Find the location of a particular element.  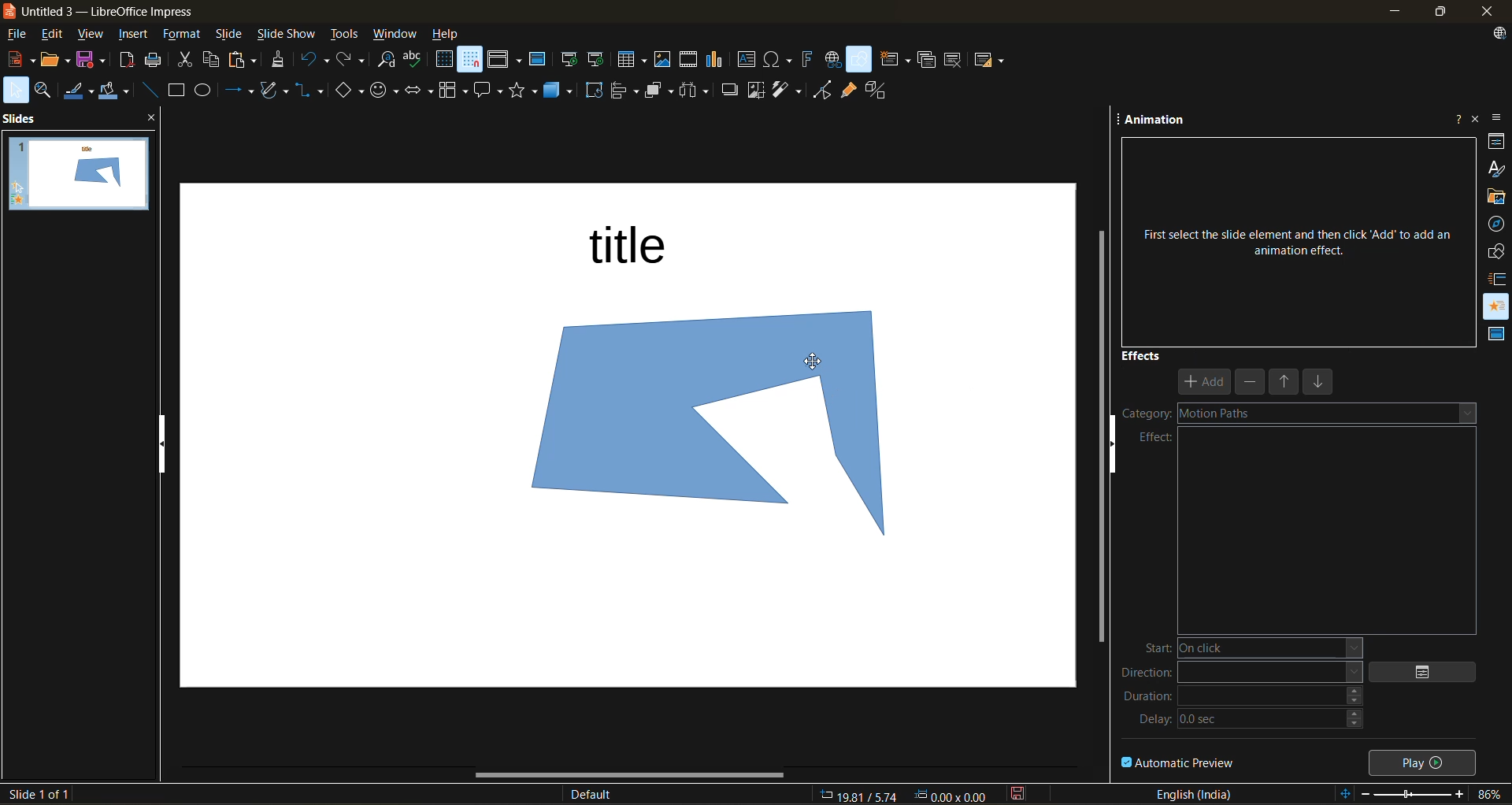

slides is located at coordinates (24, 118).